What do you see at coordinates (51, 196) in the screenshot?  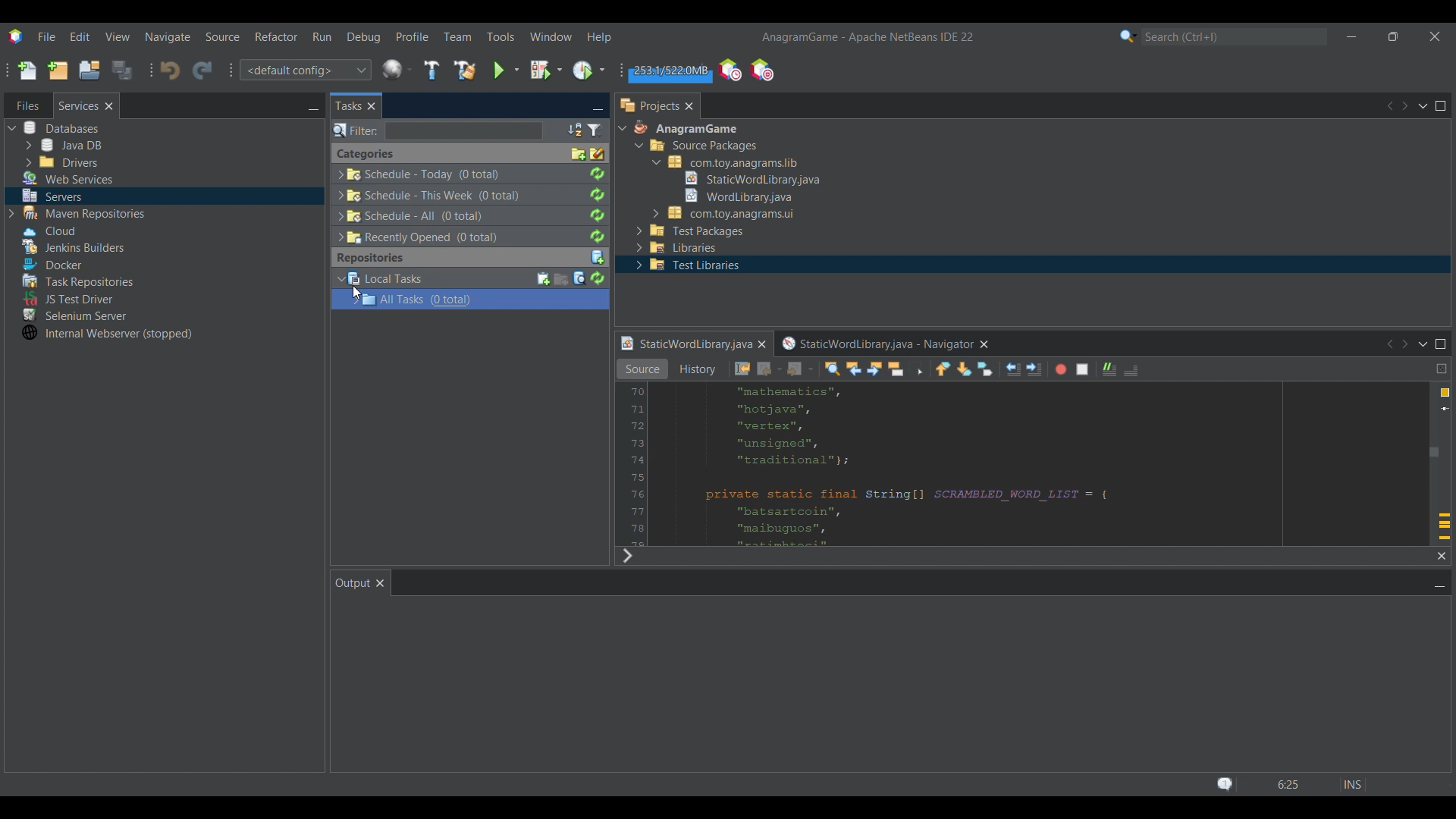 I see `` at bounding box center [51, 196].